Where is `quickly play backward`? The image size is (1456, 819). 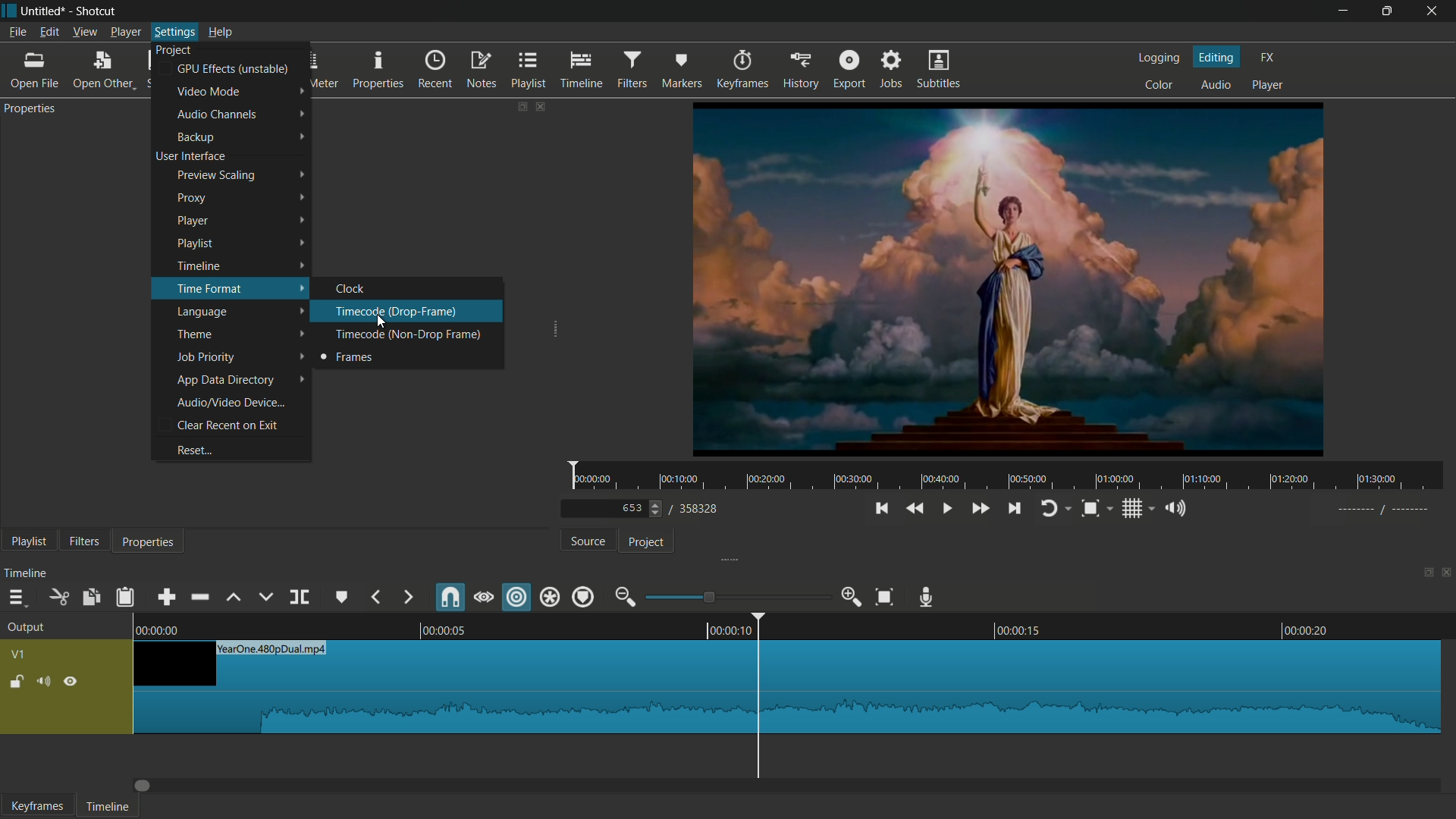 quickly play backward is located at coordinates (914, 507).